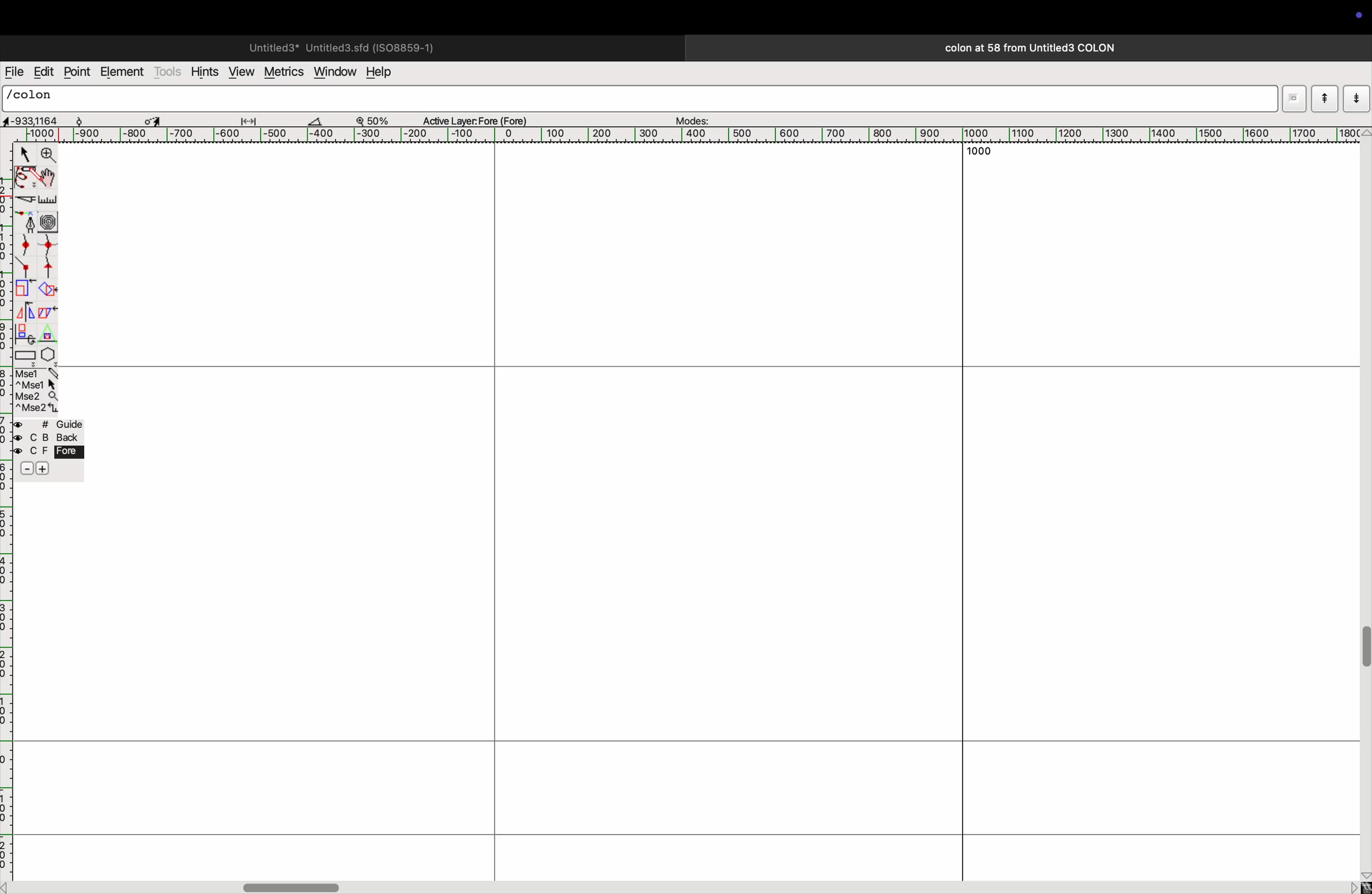 The image size is (1372, 894). I want to click on window, so click(333, 73).